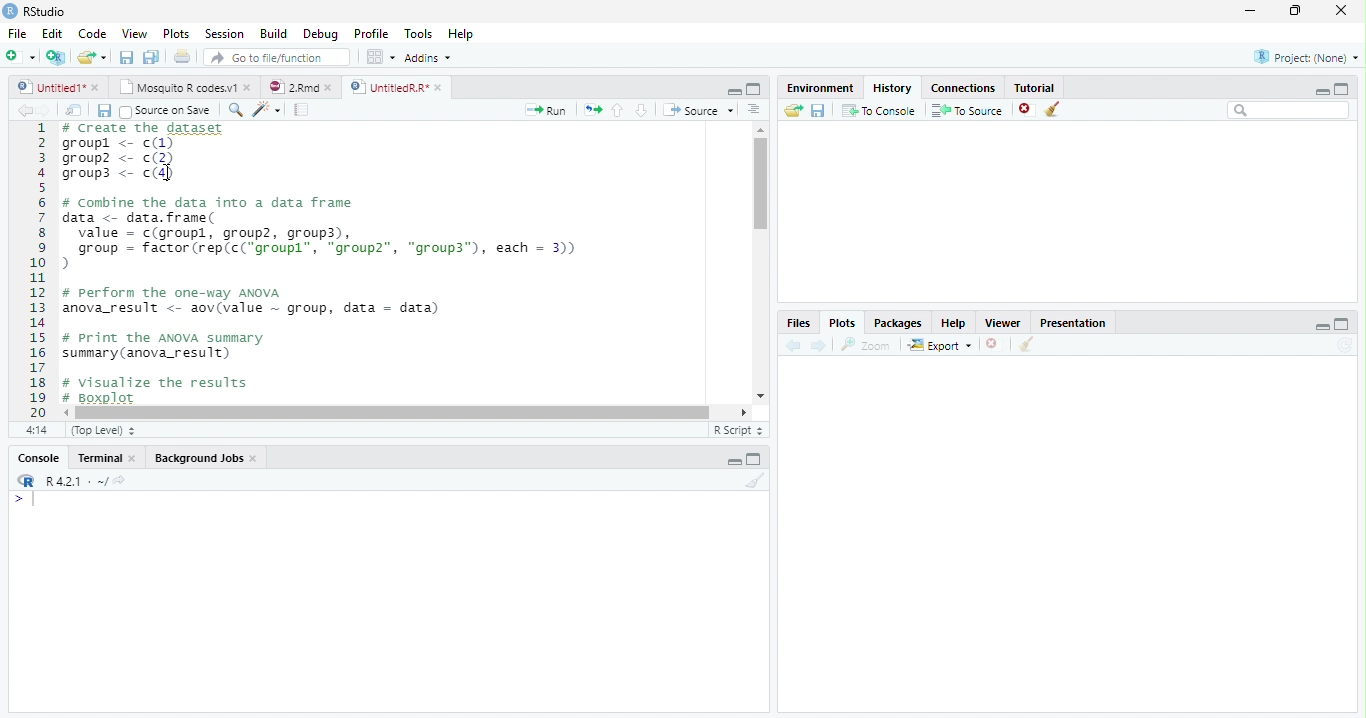 The width and height of the screenshot is (1366, 718). Describe the element at coordinates (176, 34) in the screenshot. I see `Plots` at that location.